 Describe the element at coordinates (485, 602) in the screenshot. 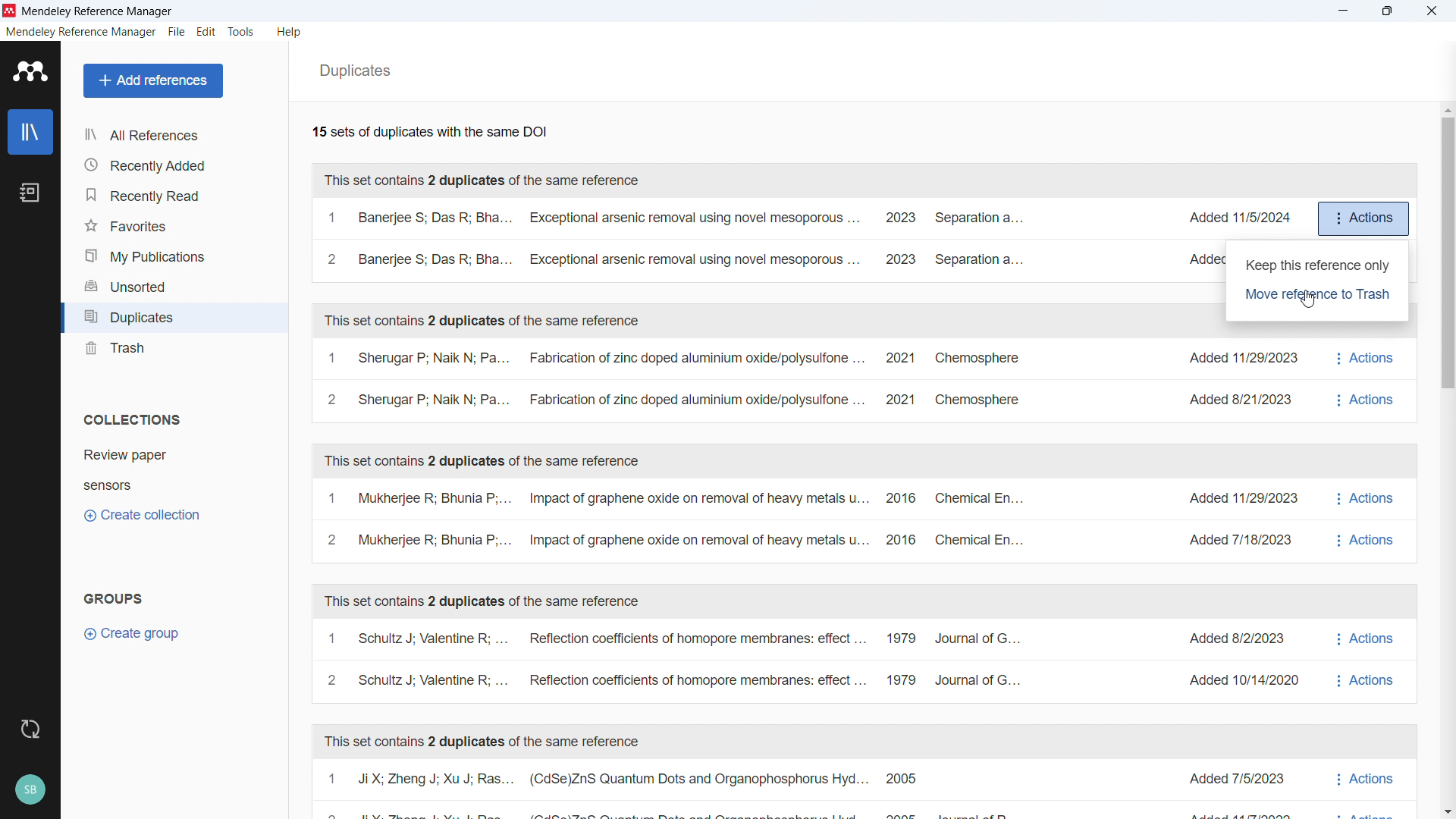

I see `This set contains two duplicates of the same reference` at that location.